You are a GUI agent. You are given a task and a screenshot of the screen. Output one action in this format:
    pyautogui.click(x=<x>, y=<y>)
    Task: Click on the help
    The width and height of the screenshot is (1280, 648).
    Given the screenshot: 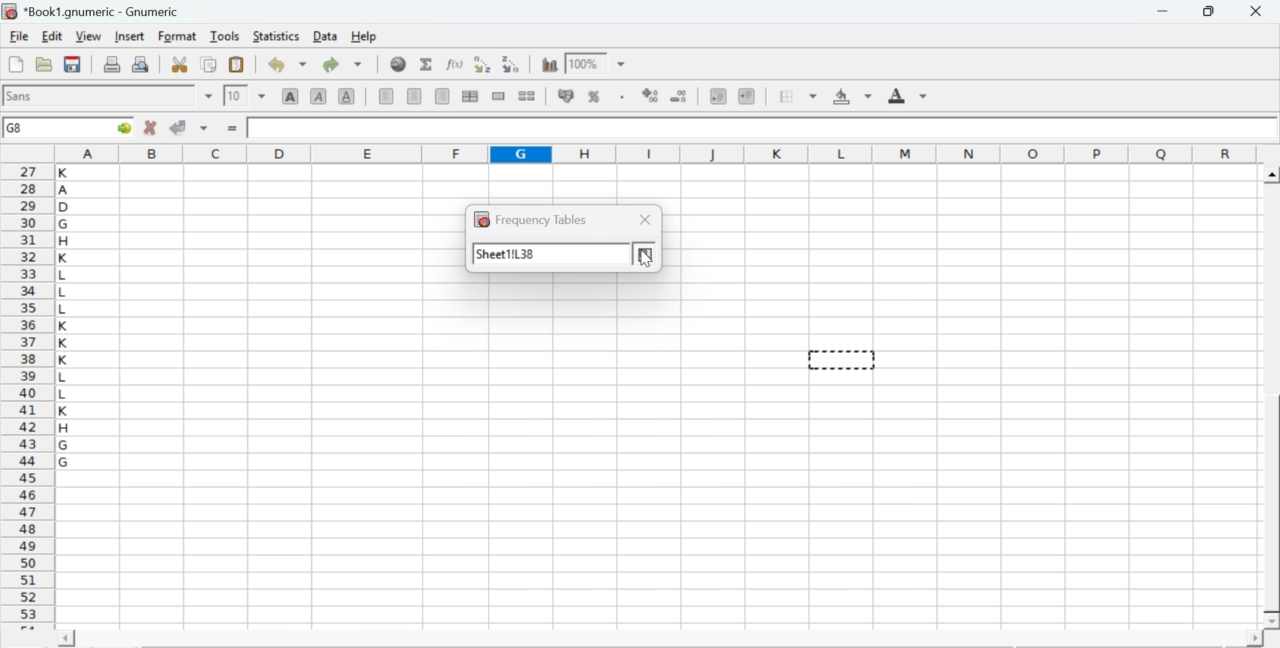 What is the action you would take?
    pyautogui.click(x=366, y=37)
    